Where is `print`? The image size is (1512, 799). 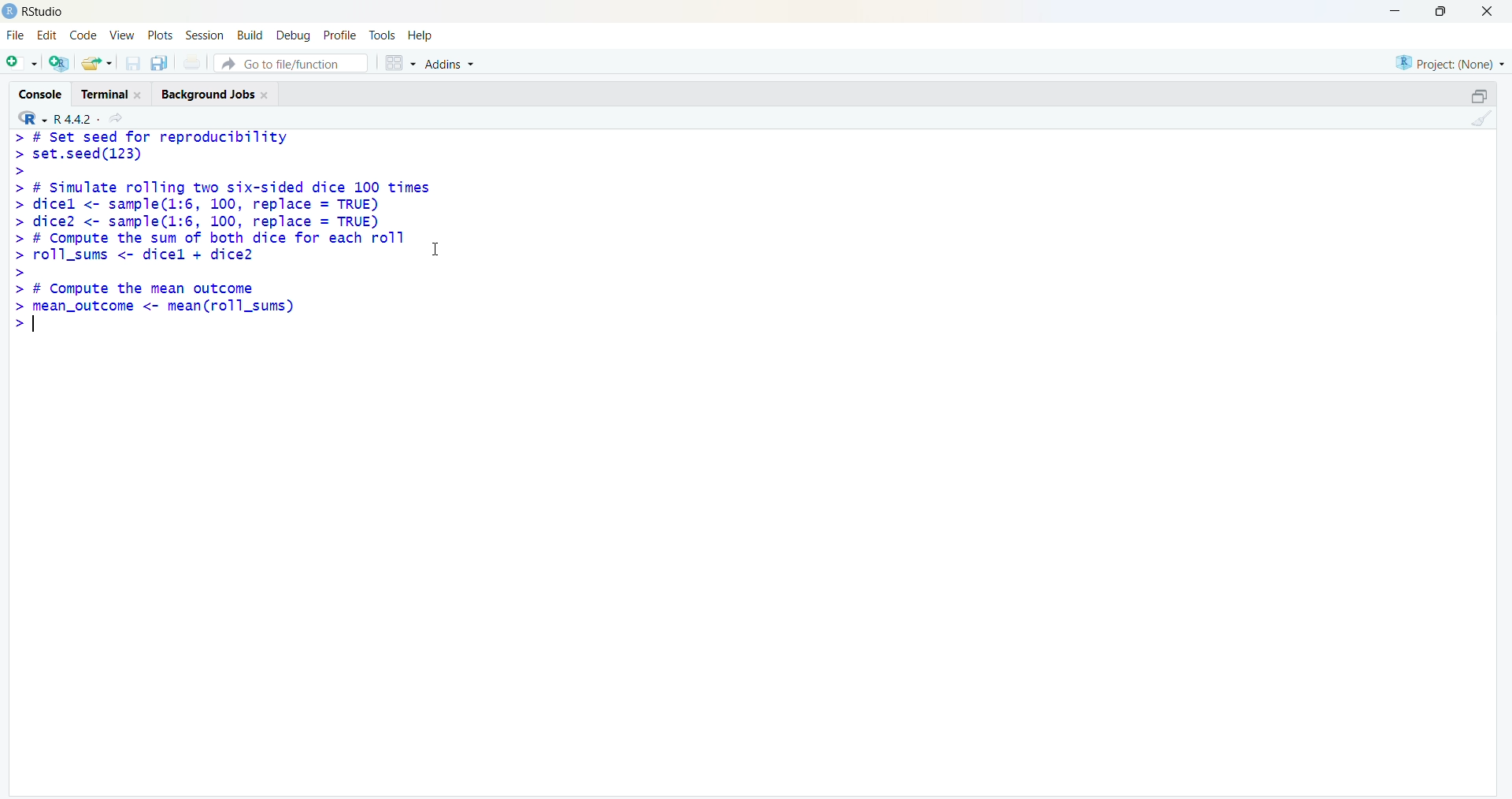
print is located at coordinates (192, 62).